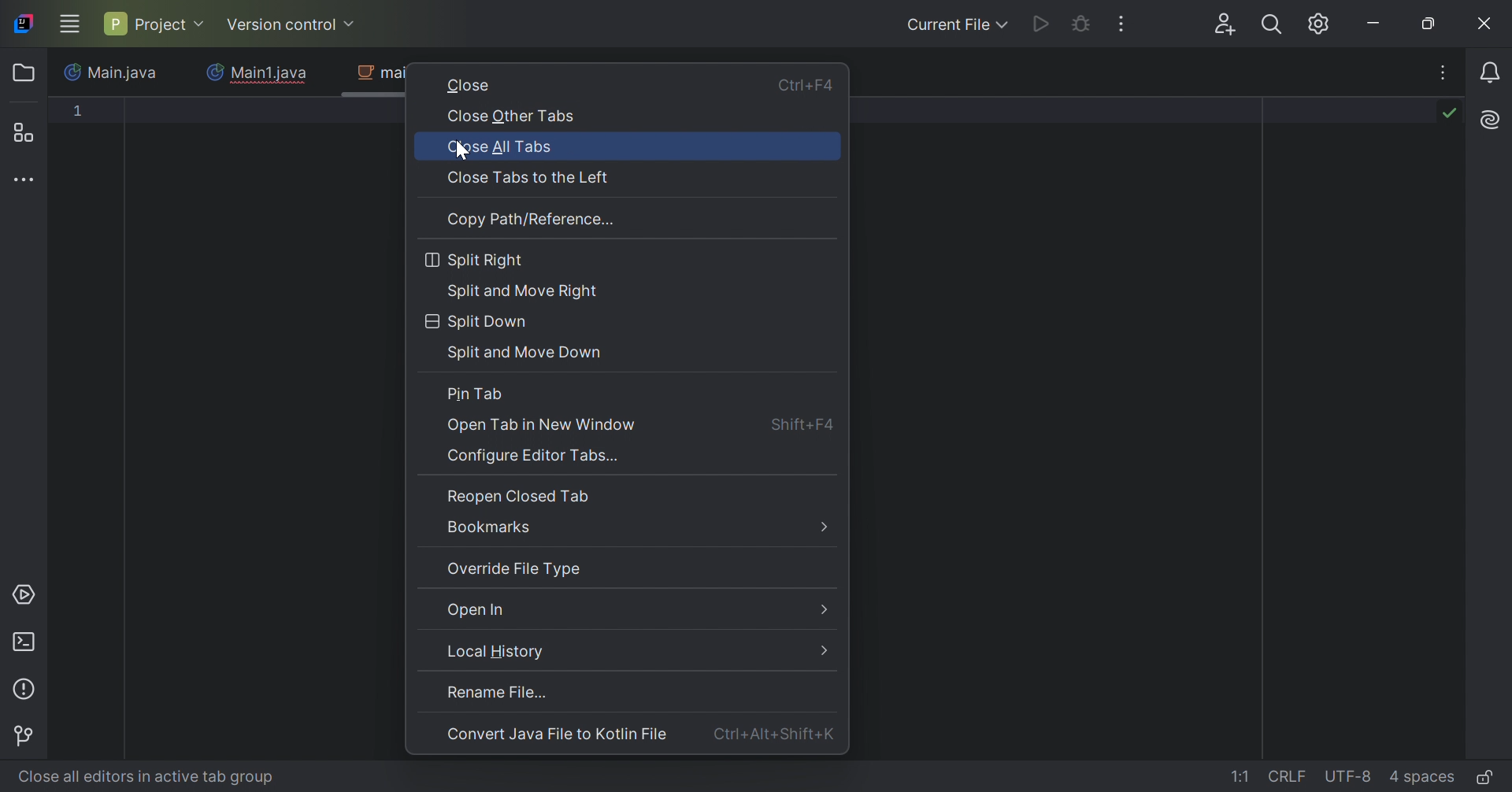 This screenshot has width=1512, height=792. I want to click on Main.java, so click(113, 73).